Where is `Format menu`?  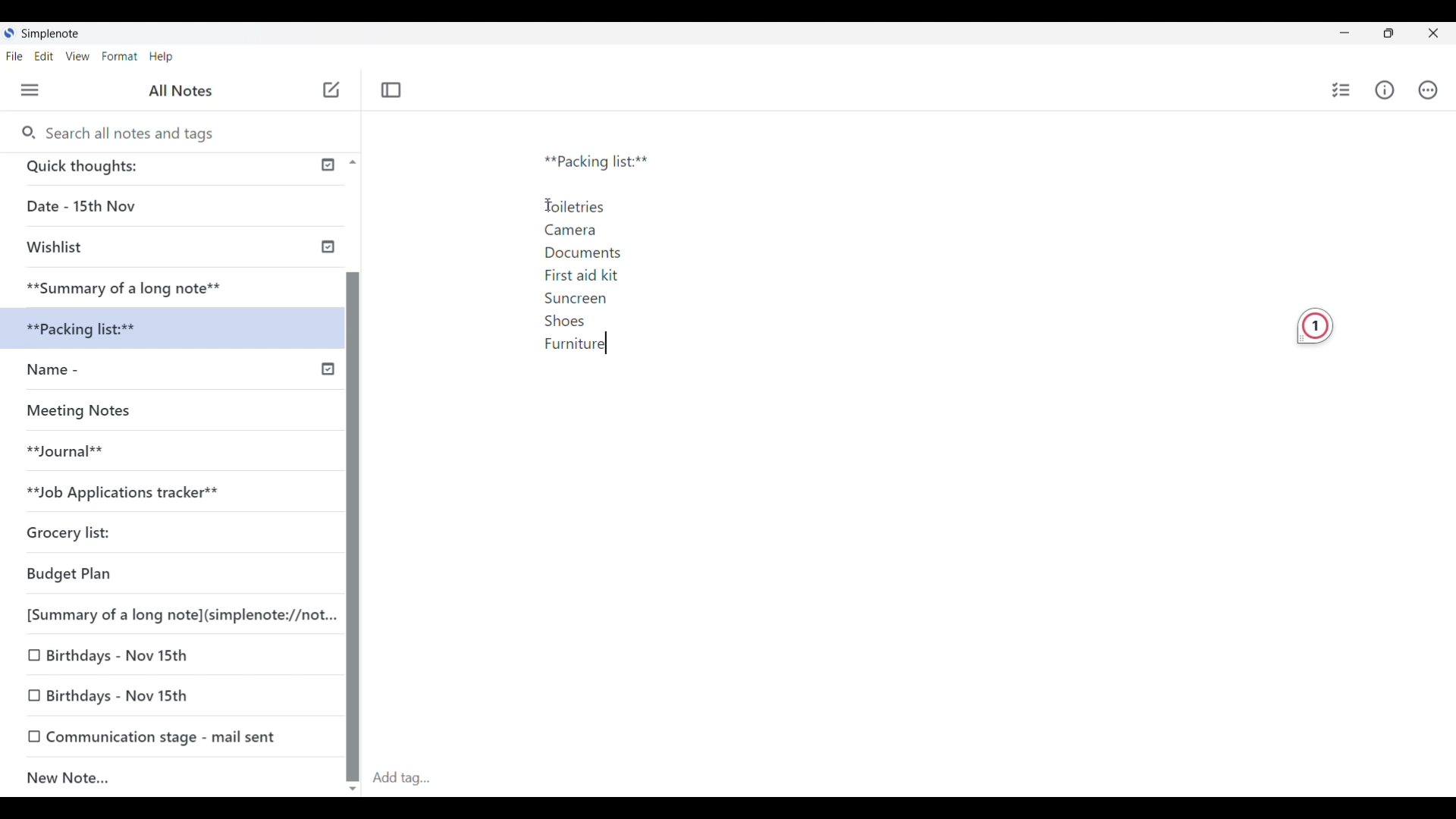
Format menu is located at coordinates (121, 57).